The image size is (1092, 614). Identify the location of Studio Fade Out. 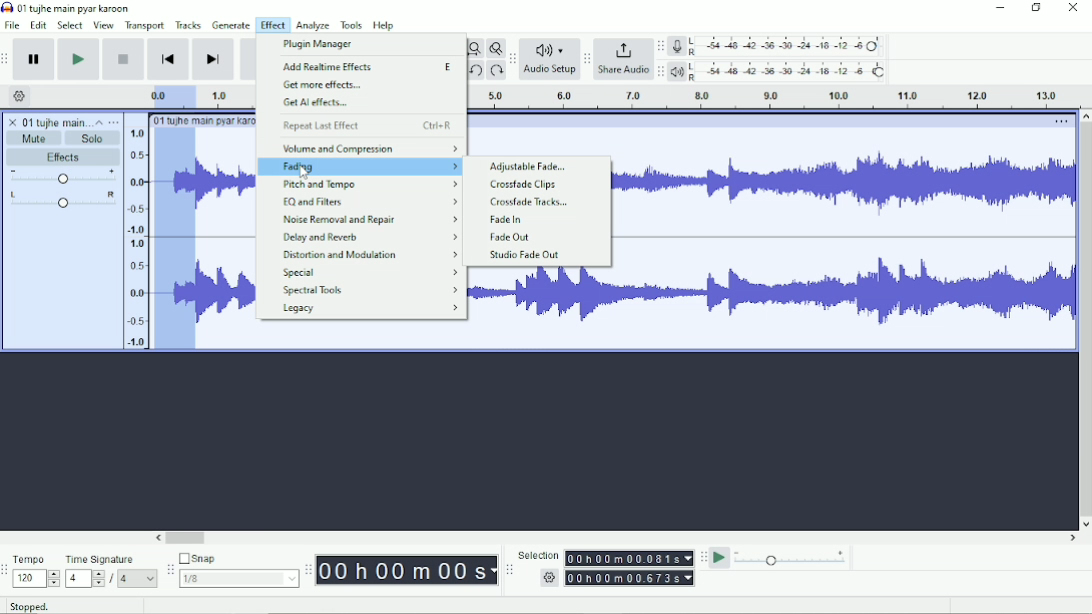
(525, 255).